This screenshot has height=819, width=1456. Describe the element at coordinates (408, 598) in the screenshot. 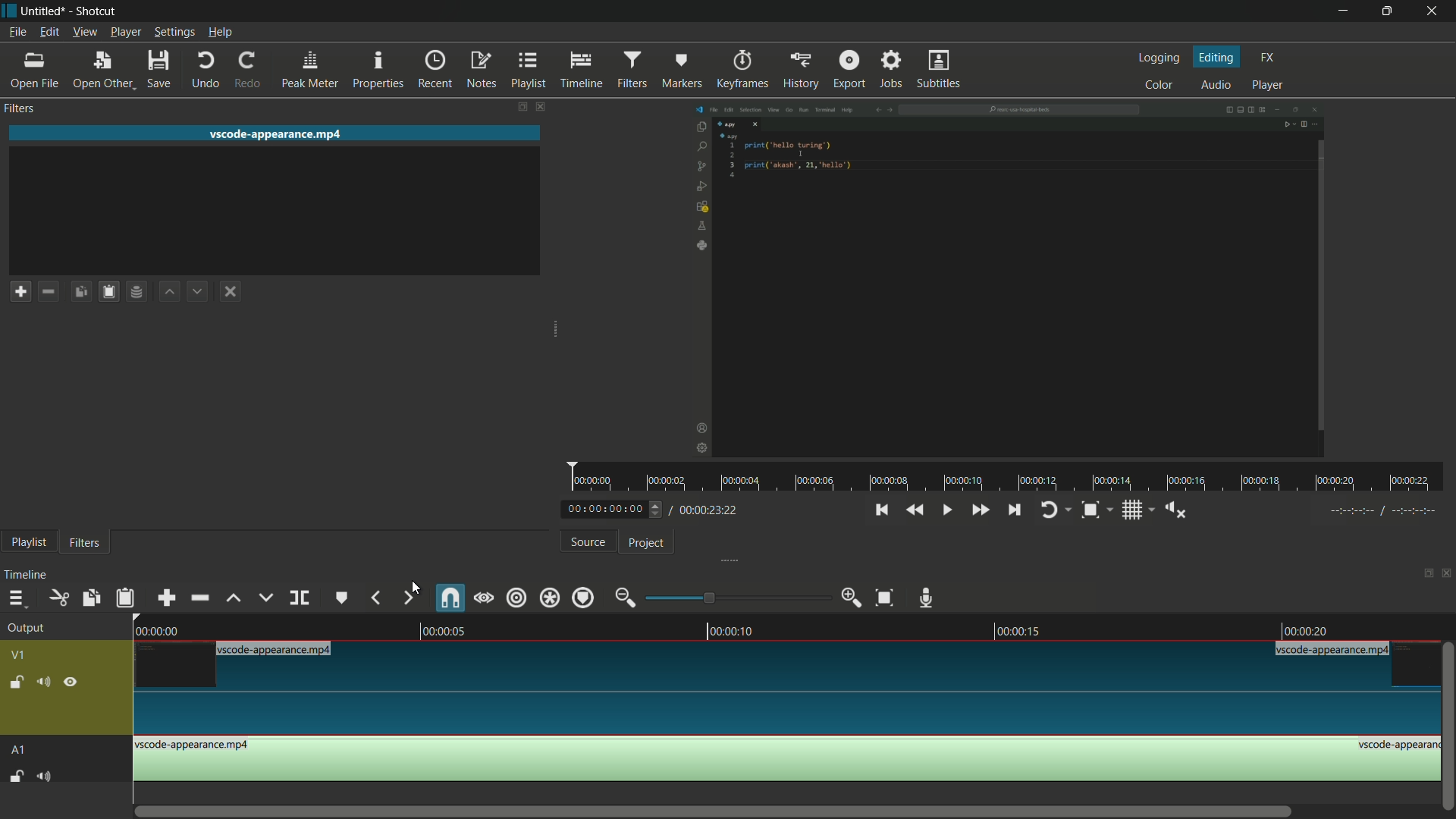

I see `next marker` at that location.